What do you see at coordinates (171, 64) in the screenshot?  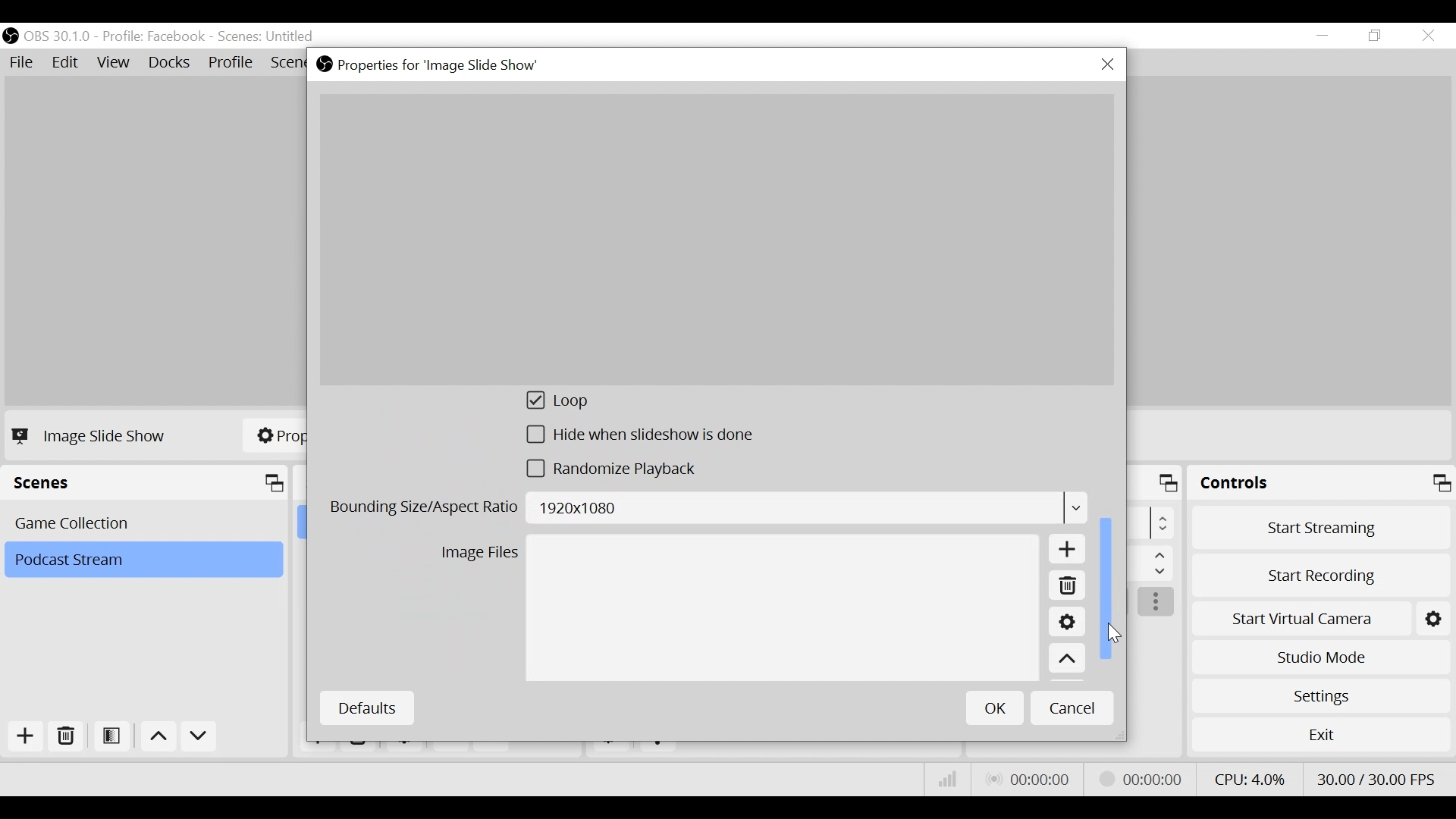 I see `Docks` at bounding box center [171, 64].